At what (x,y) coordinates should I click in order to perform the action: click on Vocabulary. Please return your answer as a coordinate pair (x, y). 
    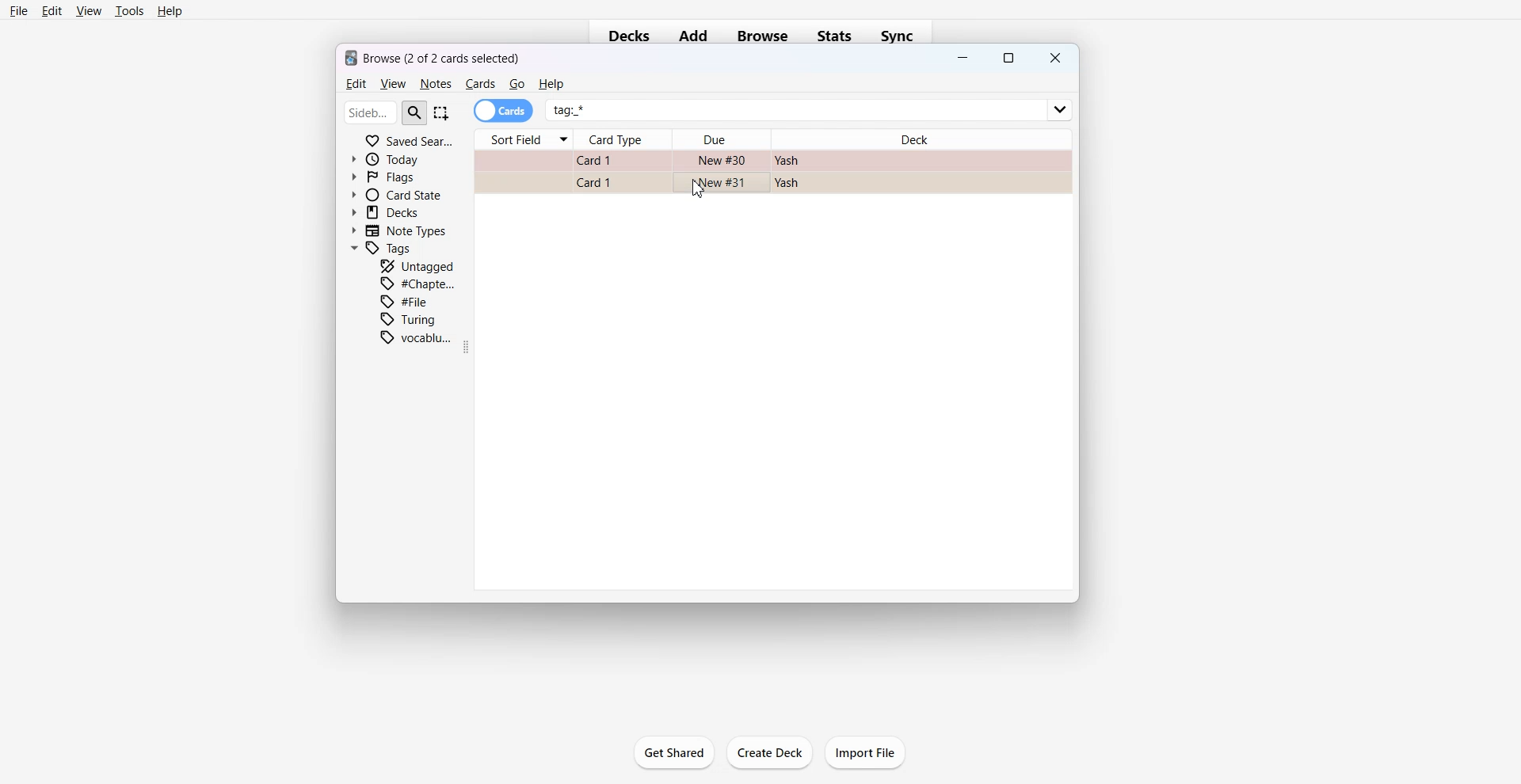
    Looking at the image, I should click on (416, 337).